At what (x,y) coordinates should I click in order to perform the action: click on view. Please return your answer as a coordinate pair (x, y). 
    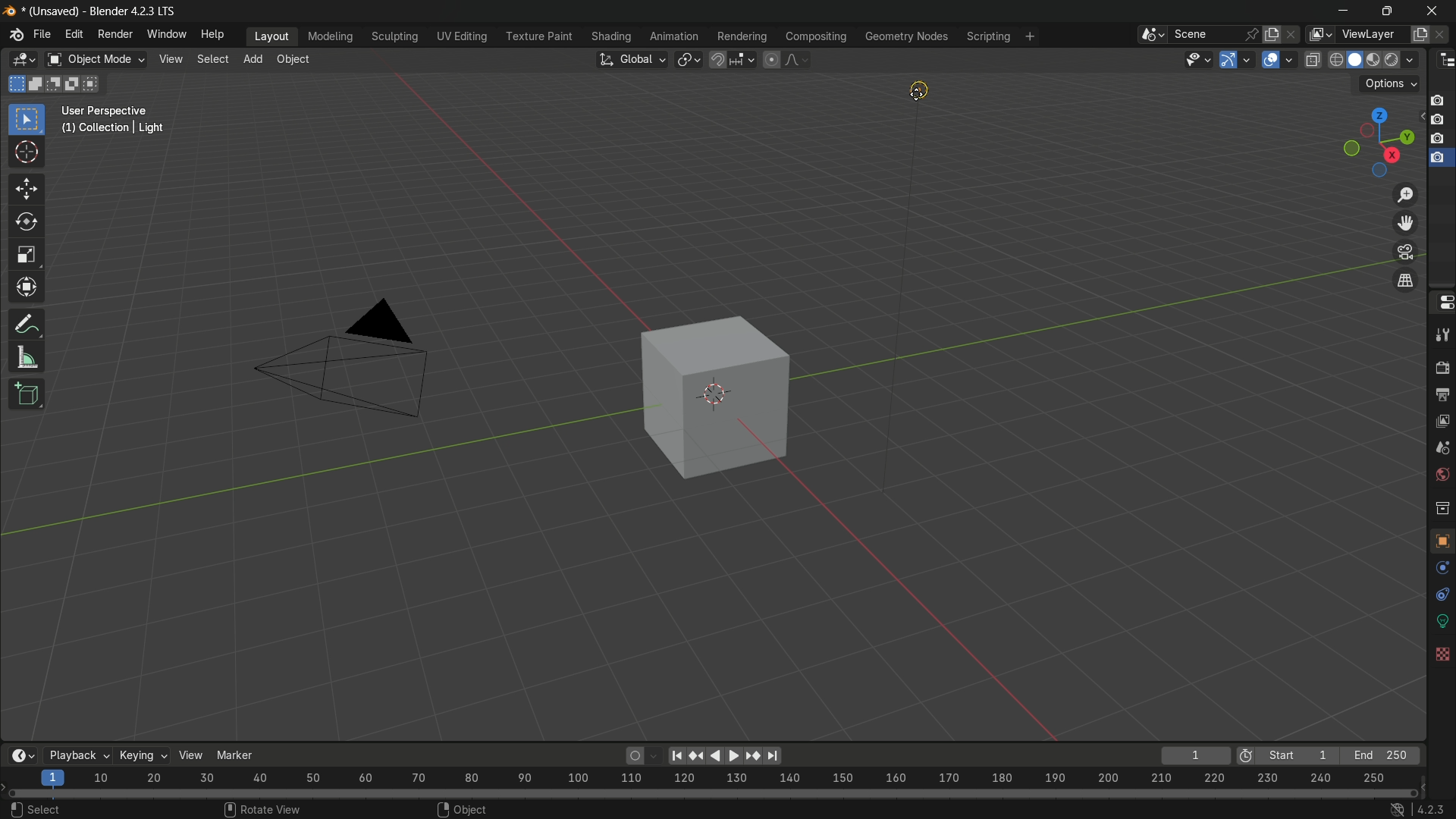
    Looking at the image, I should click on (171, 60).